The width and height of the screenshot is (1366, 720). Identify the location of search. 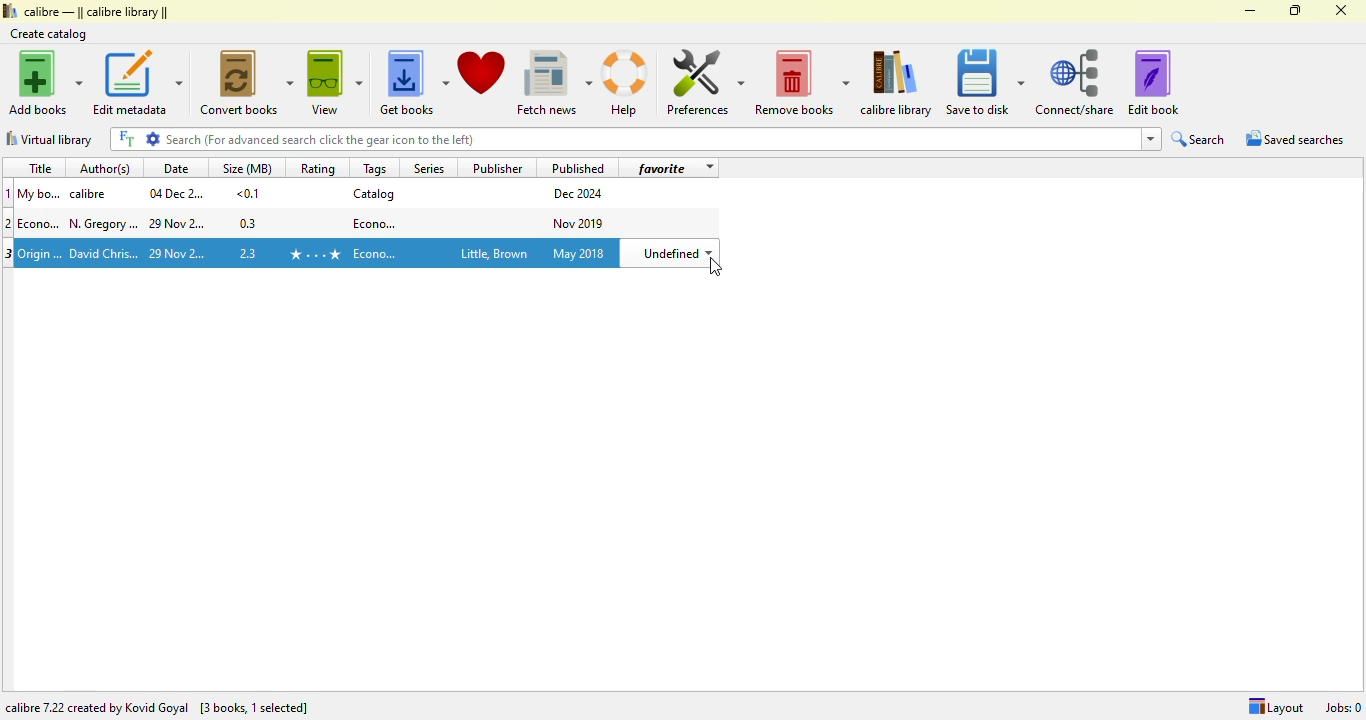
(1199, 139).